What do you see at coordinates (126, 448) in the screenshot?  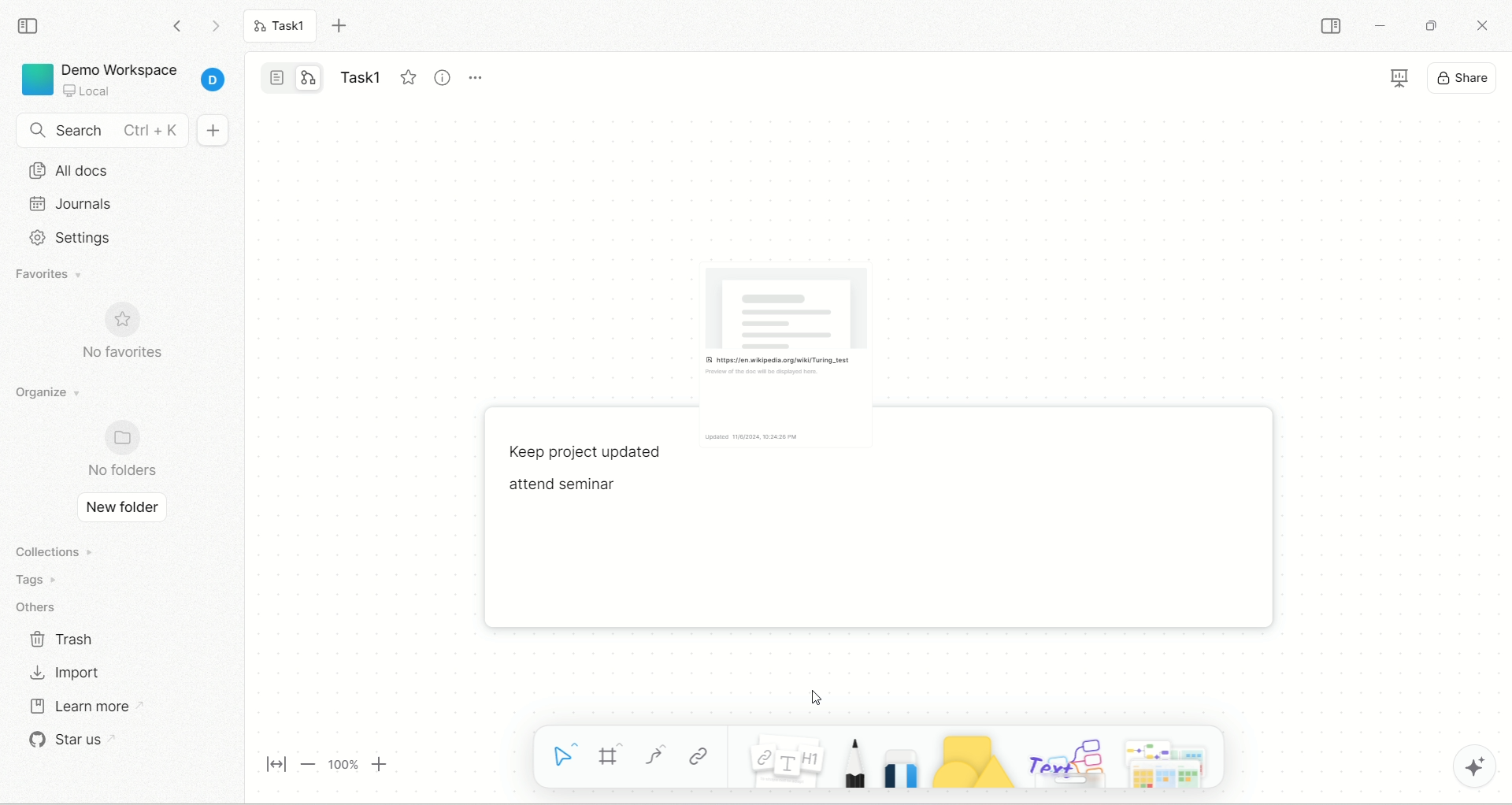 I see `no folders` at bounding box center [126, 448].